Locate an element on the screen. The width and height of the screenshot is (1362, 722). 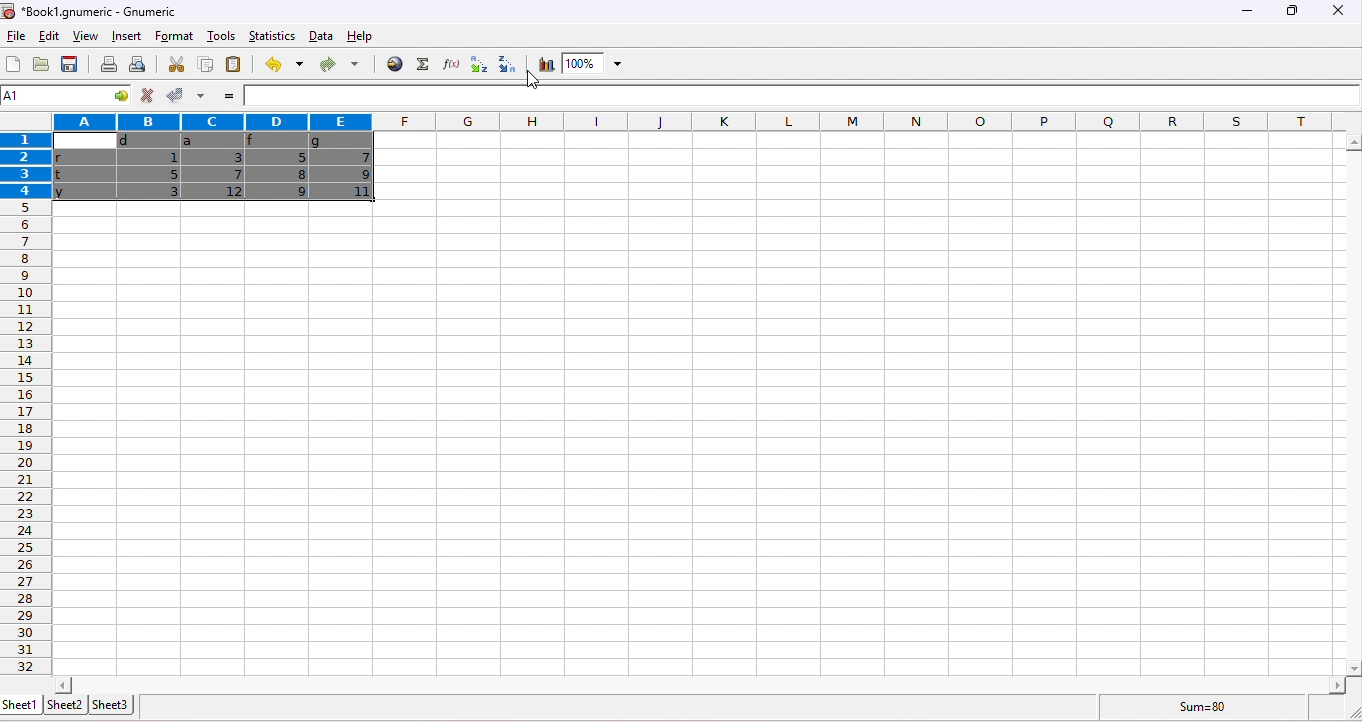
horizontal slider is located at coordinates (698, 684).